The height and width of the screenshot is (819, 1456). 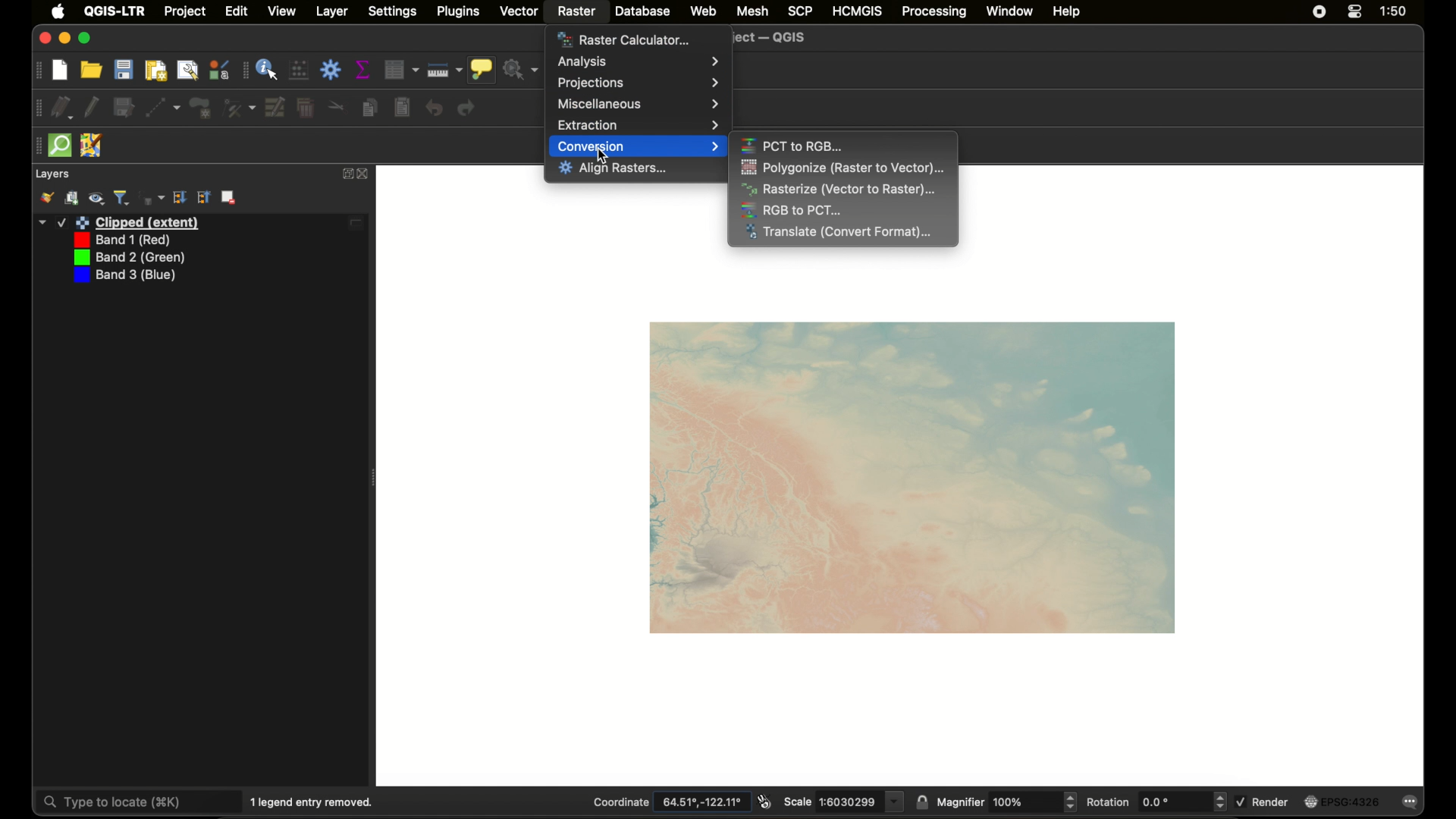 What do you see at coordinates (792, 210) in the screenshot?
I see `rgb to pct` at bounding box center [792, 210].